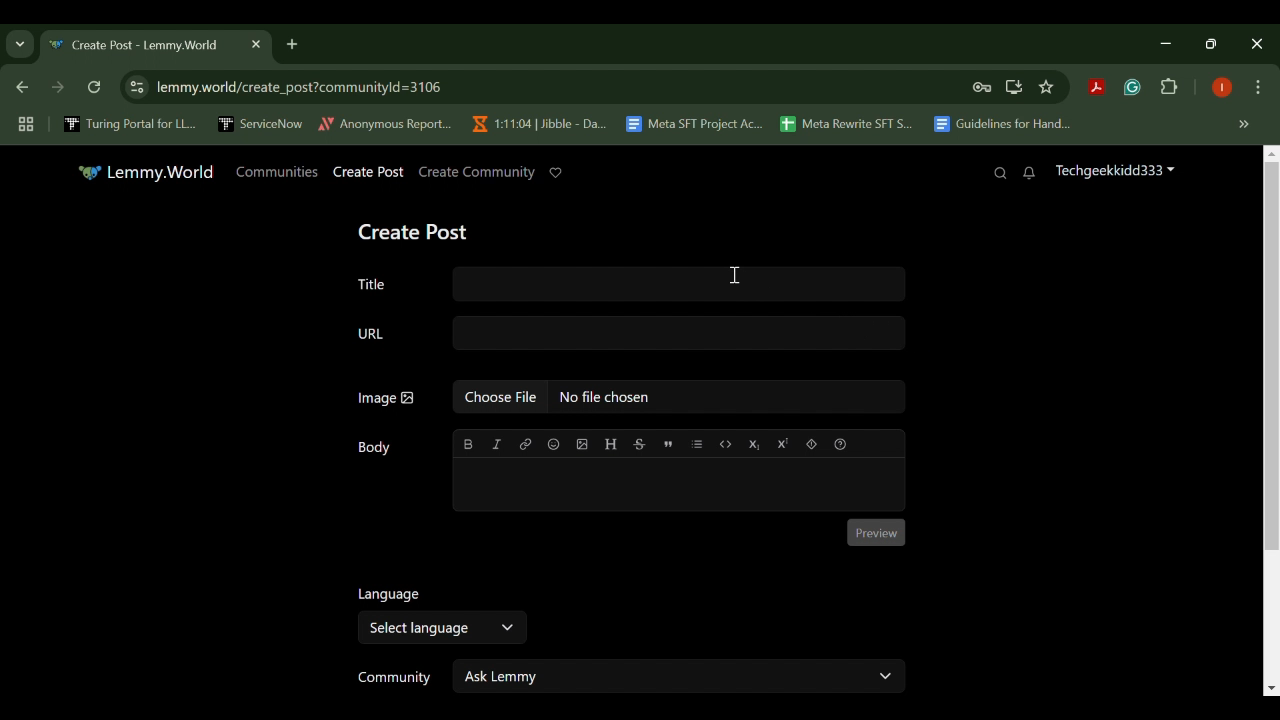 This screenshot has height=720, width=1280. What do you see at coordinates (610, 444) in the screenshot?
I see `header` at bounding box center [610, 444].